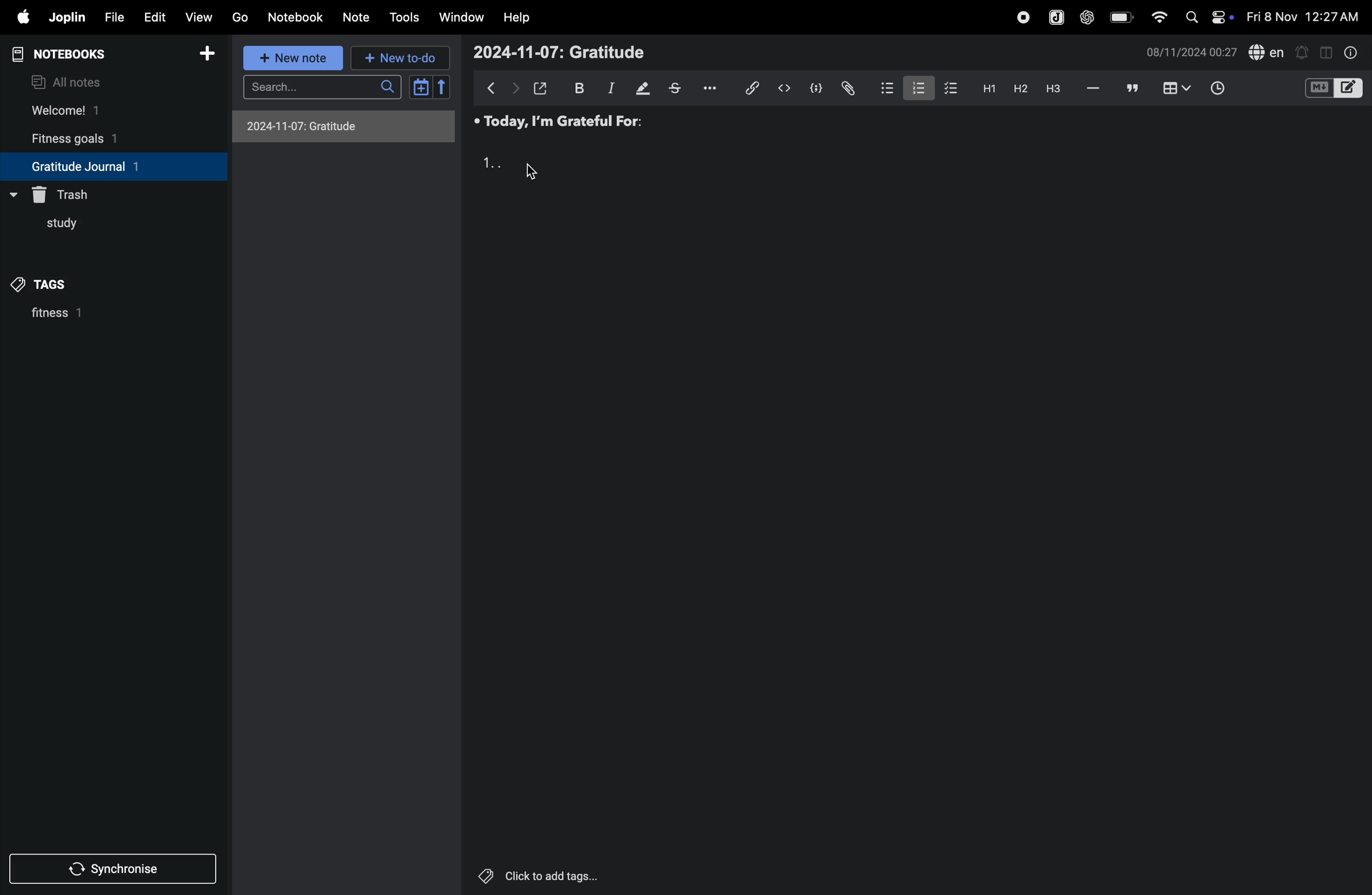 The height and width of the screenshot is (895, 1372). I want to click on new note, so click(295, 59).